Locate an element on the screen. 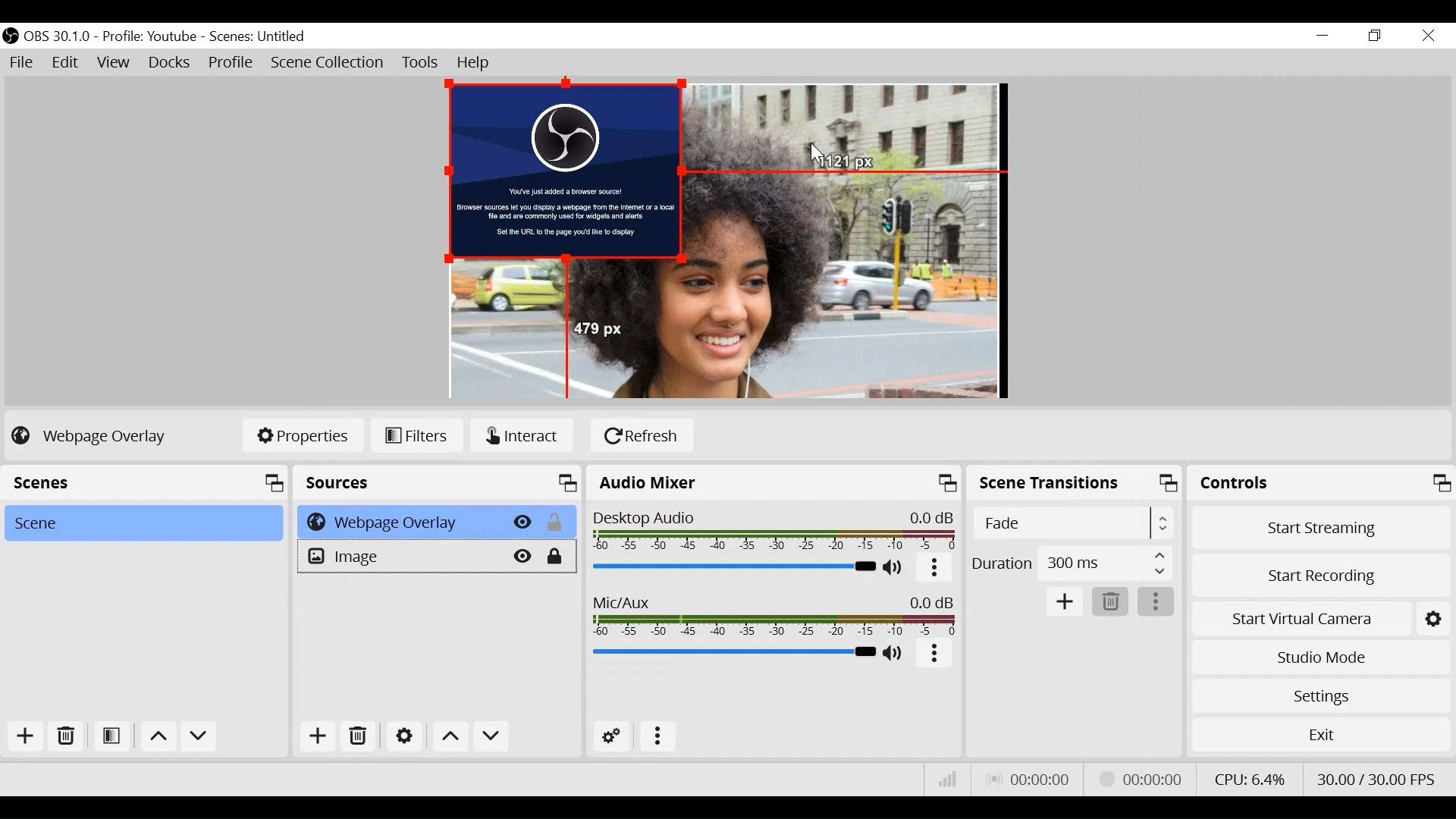 The image size is (1456, 819). Recording Status is located at coordinates (1141, 779).